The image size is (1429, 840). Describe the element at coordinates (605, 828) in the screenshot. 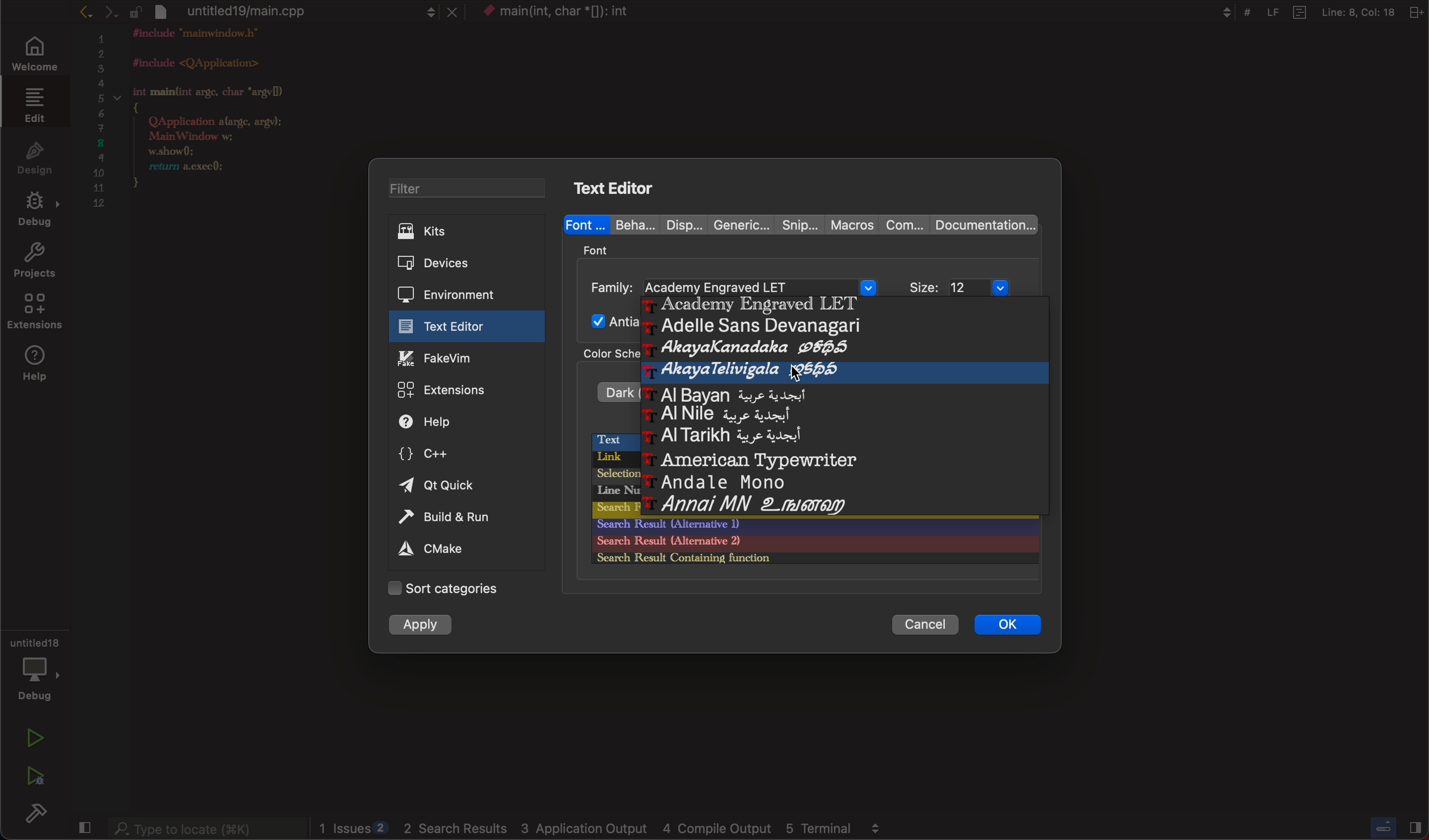

I see `logs` at that location.